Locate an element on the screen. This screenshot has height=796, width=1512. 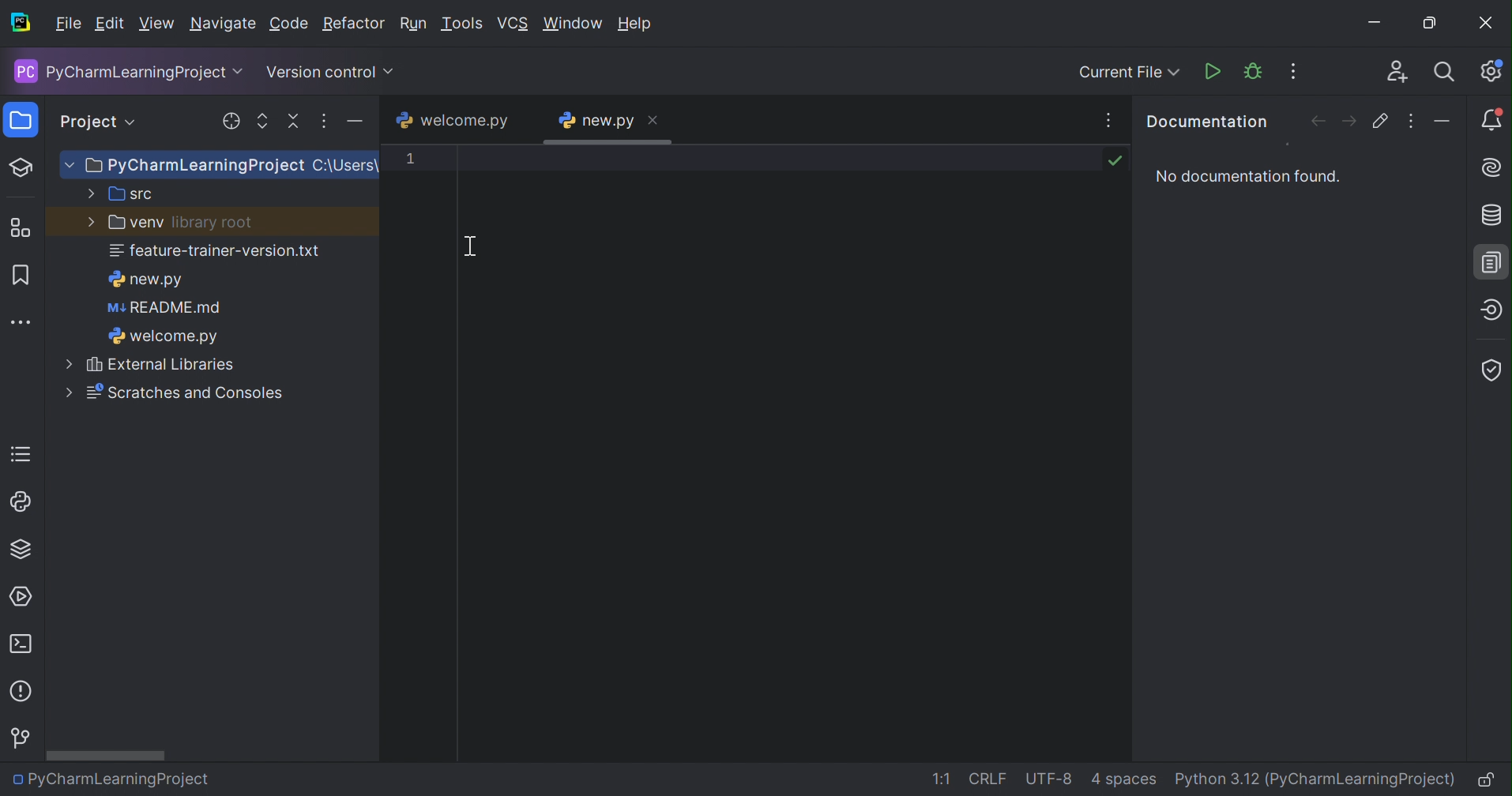
src is located at coordinates (119, 194).